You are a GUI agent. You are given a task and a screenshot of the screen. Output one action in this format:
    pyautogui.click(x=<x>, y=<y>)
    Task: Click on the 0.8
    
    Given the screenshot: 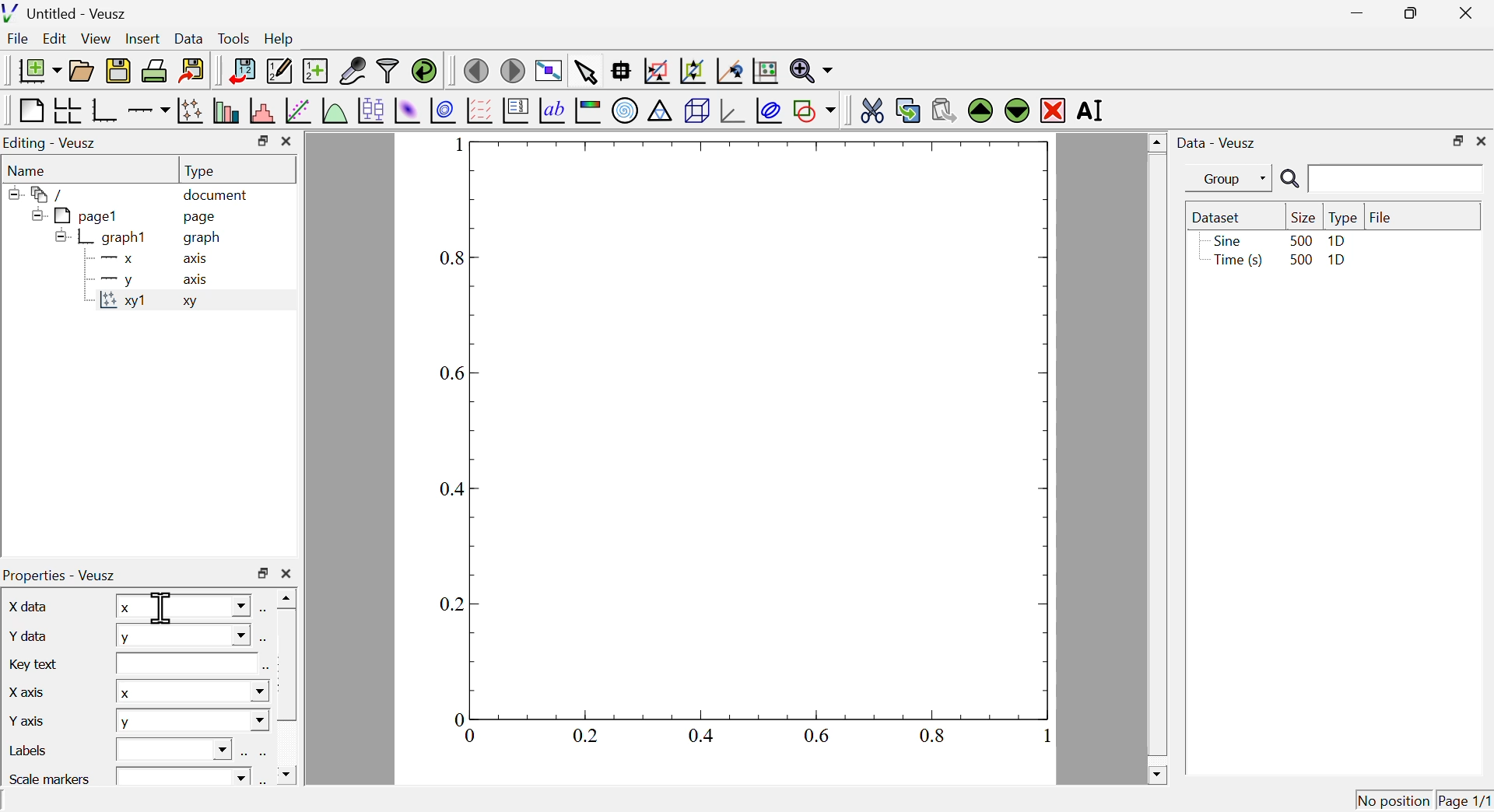 What is the action you would take?
    pyautogui.click(x=935, y=735)
    